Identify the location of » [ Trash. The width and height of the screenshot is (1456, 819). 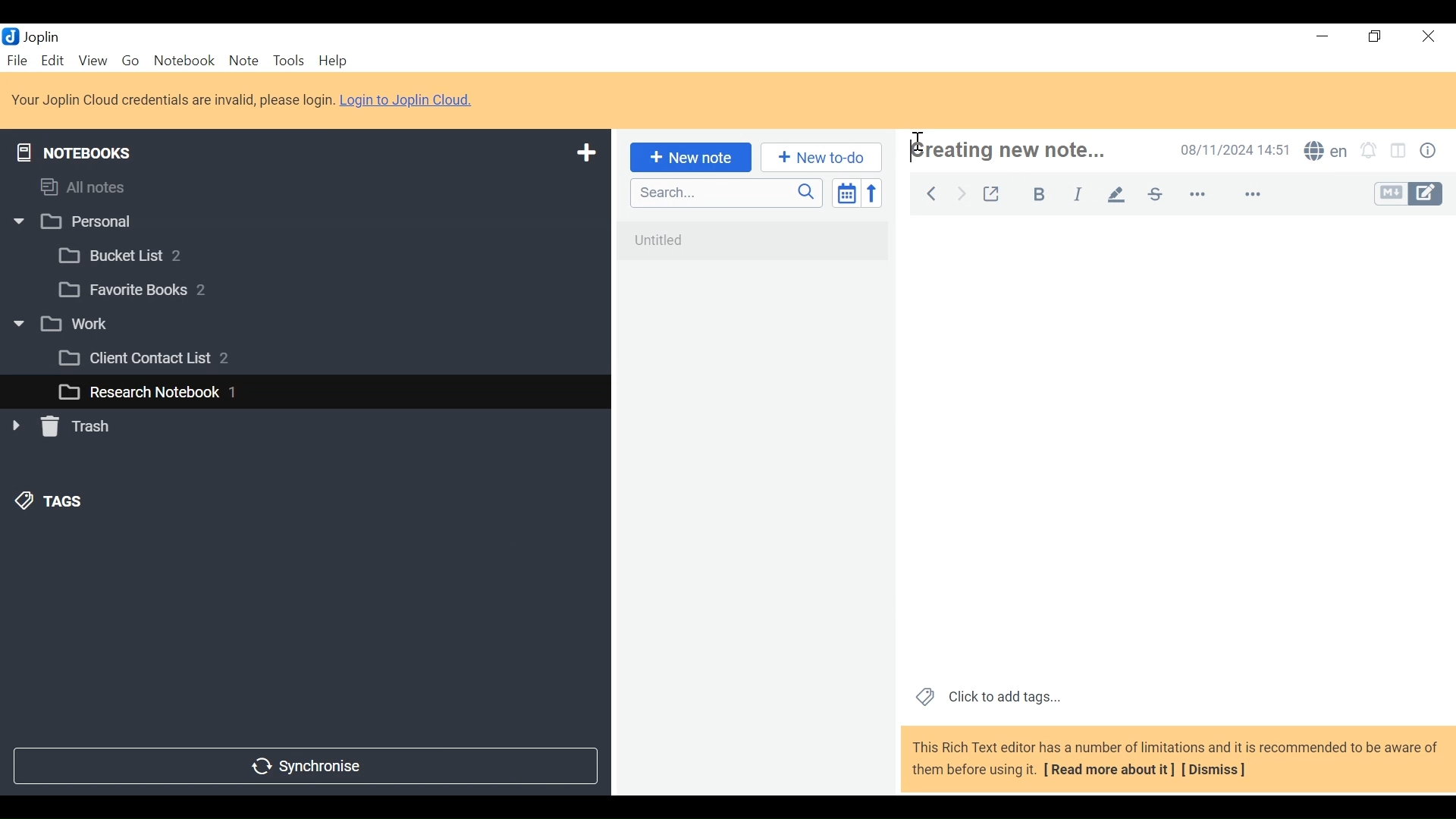
(80, 426).